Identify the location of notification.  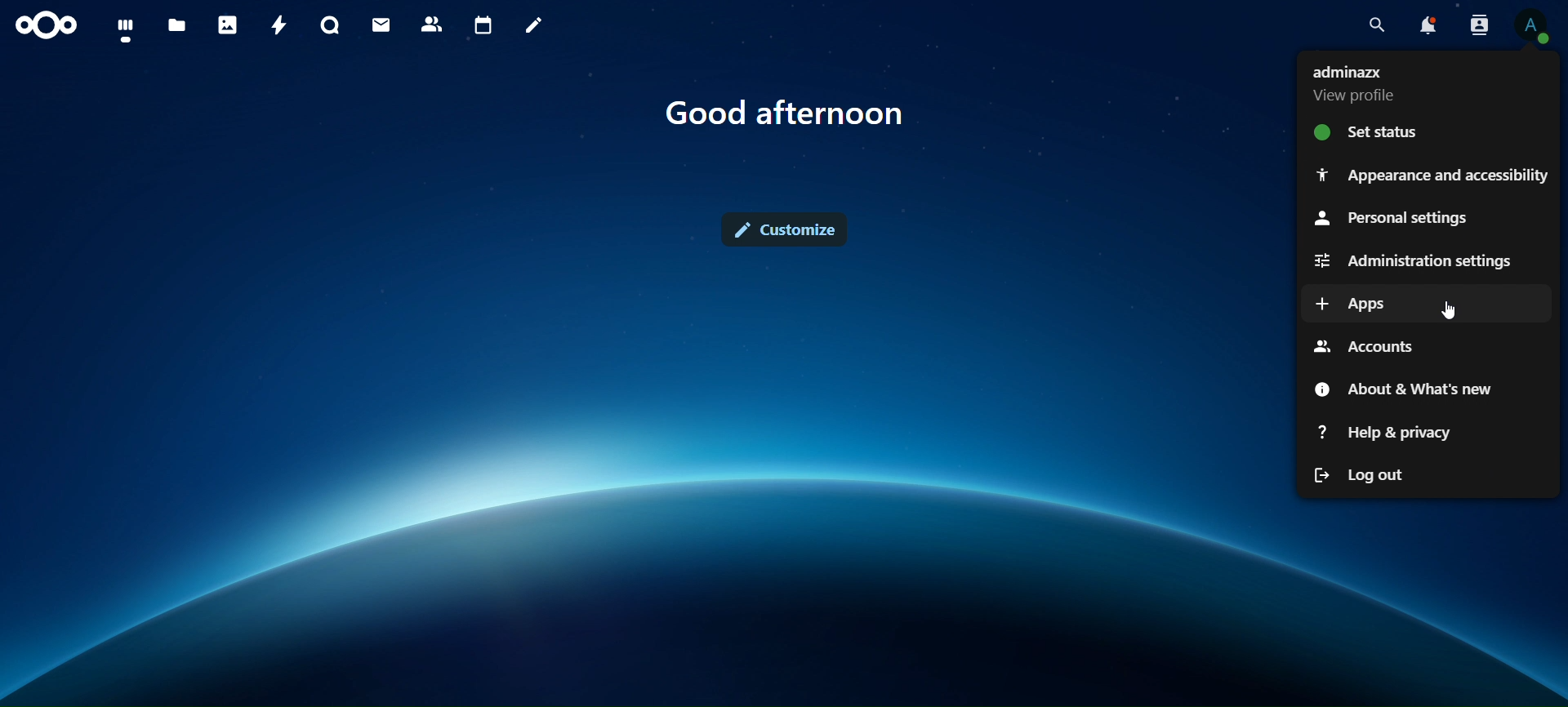
(1476, 24).